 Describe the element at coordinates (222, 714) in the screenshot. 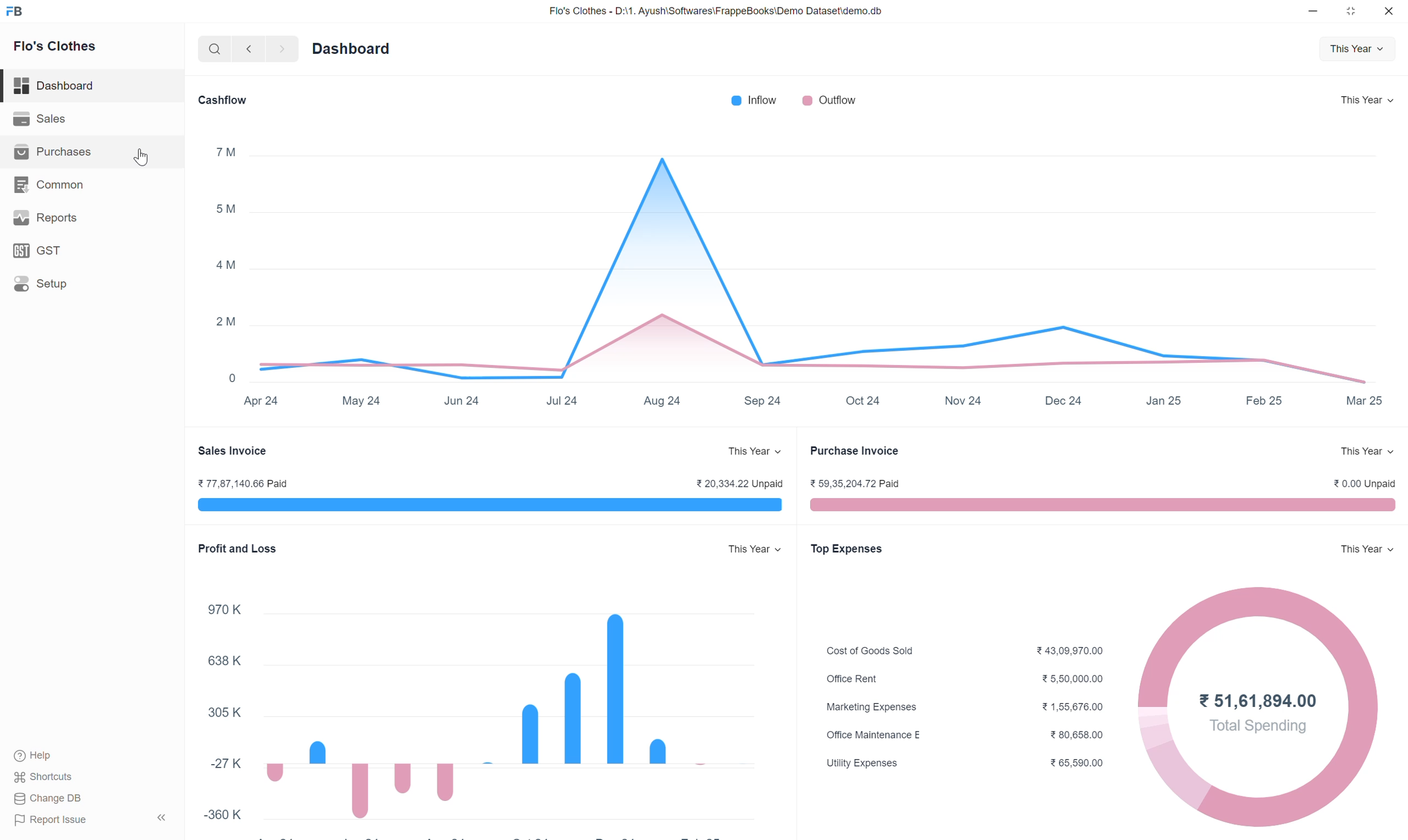

I see `970K 638K 305K -27K -360K` at that location.